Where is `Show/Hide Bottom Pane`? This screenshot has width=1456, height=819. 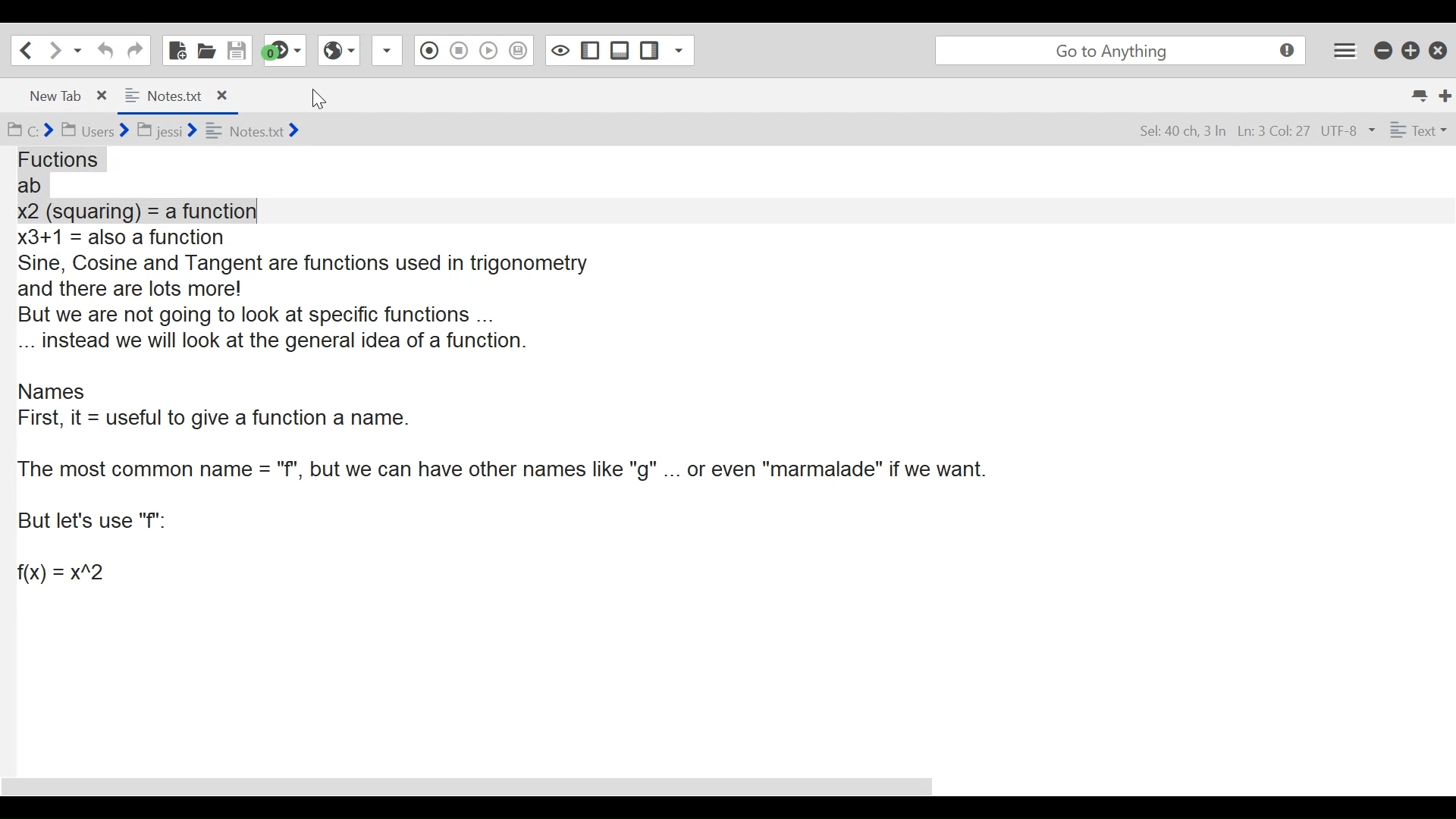 Show/Hide Bottom Pane is located at coordinates (650, 52).